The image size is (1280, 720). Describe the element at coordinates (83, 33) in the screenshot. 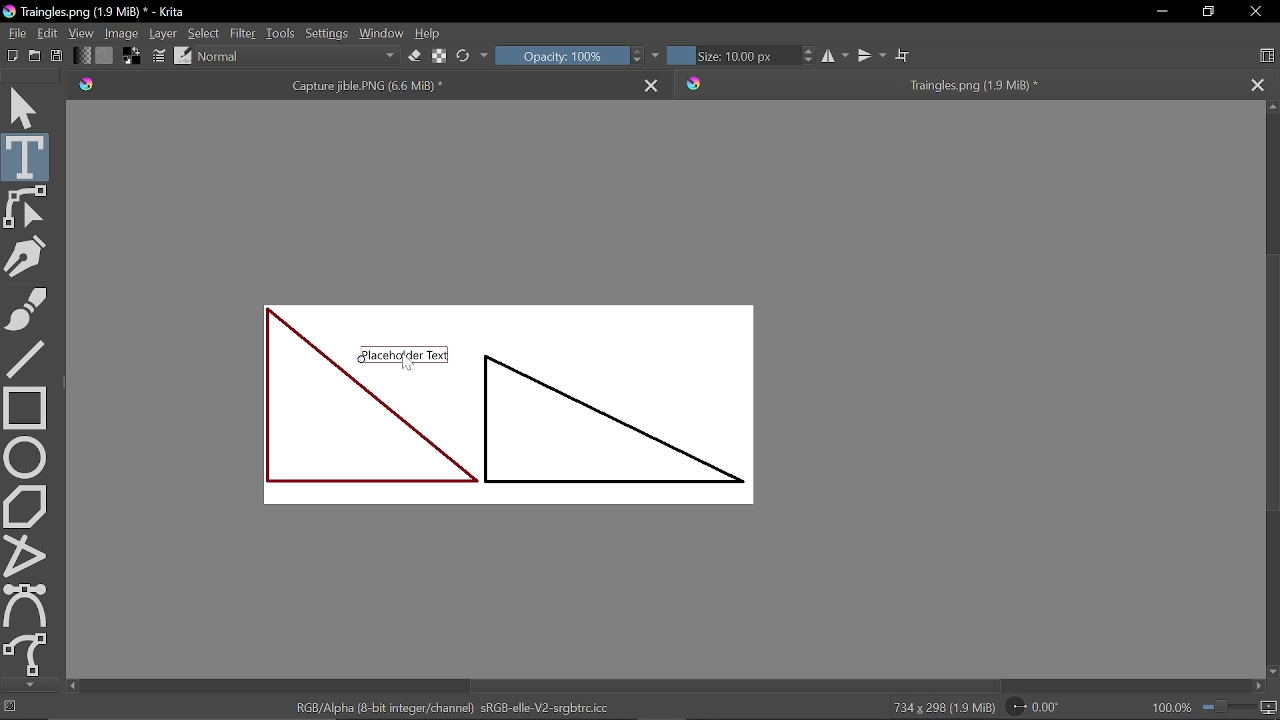

I see `View` at that location.